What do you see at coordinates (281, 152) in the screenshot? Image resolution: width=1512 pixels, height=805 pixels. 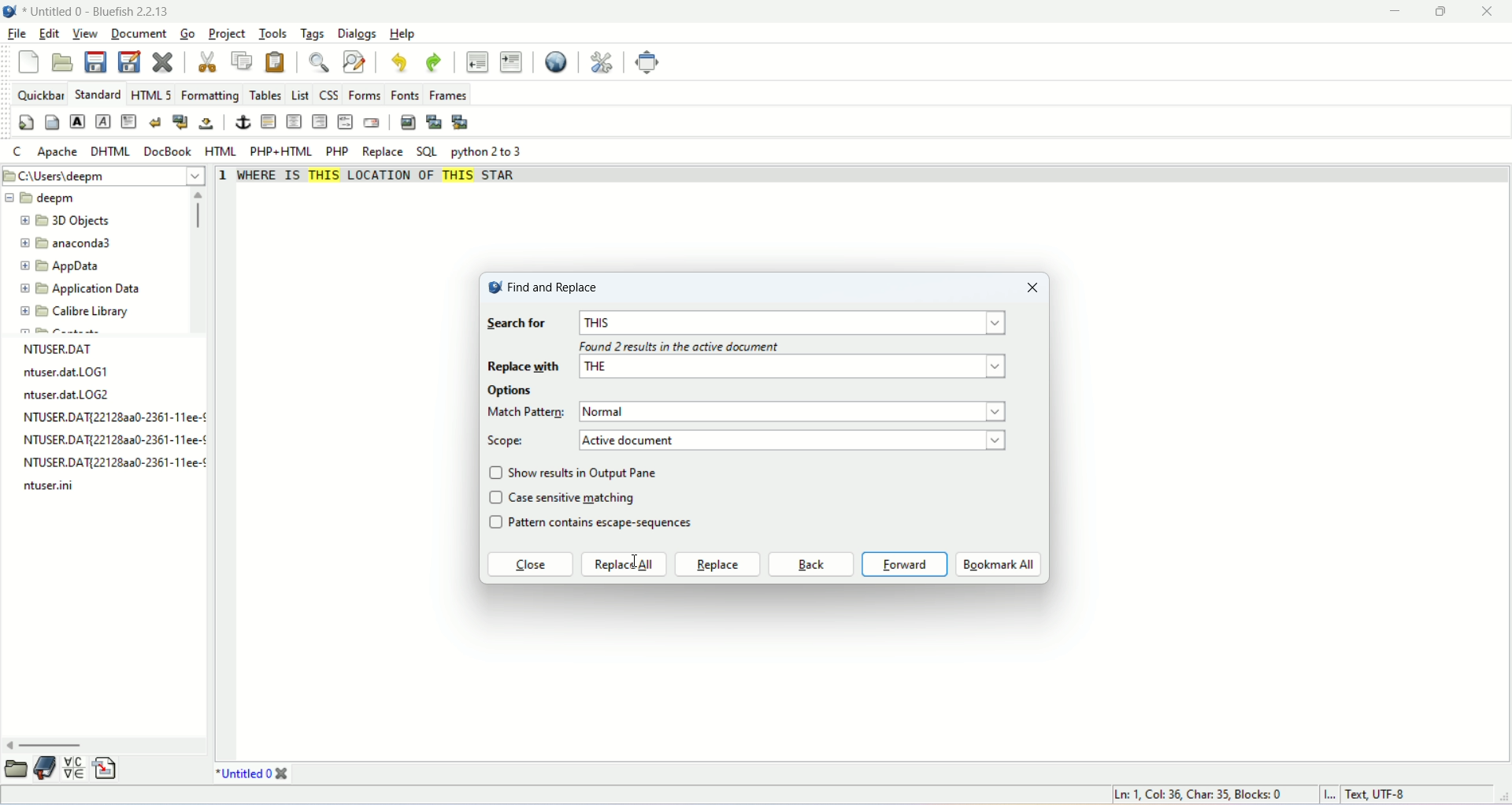 I see `PHP+HTML` at bounding box center [281, 152].